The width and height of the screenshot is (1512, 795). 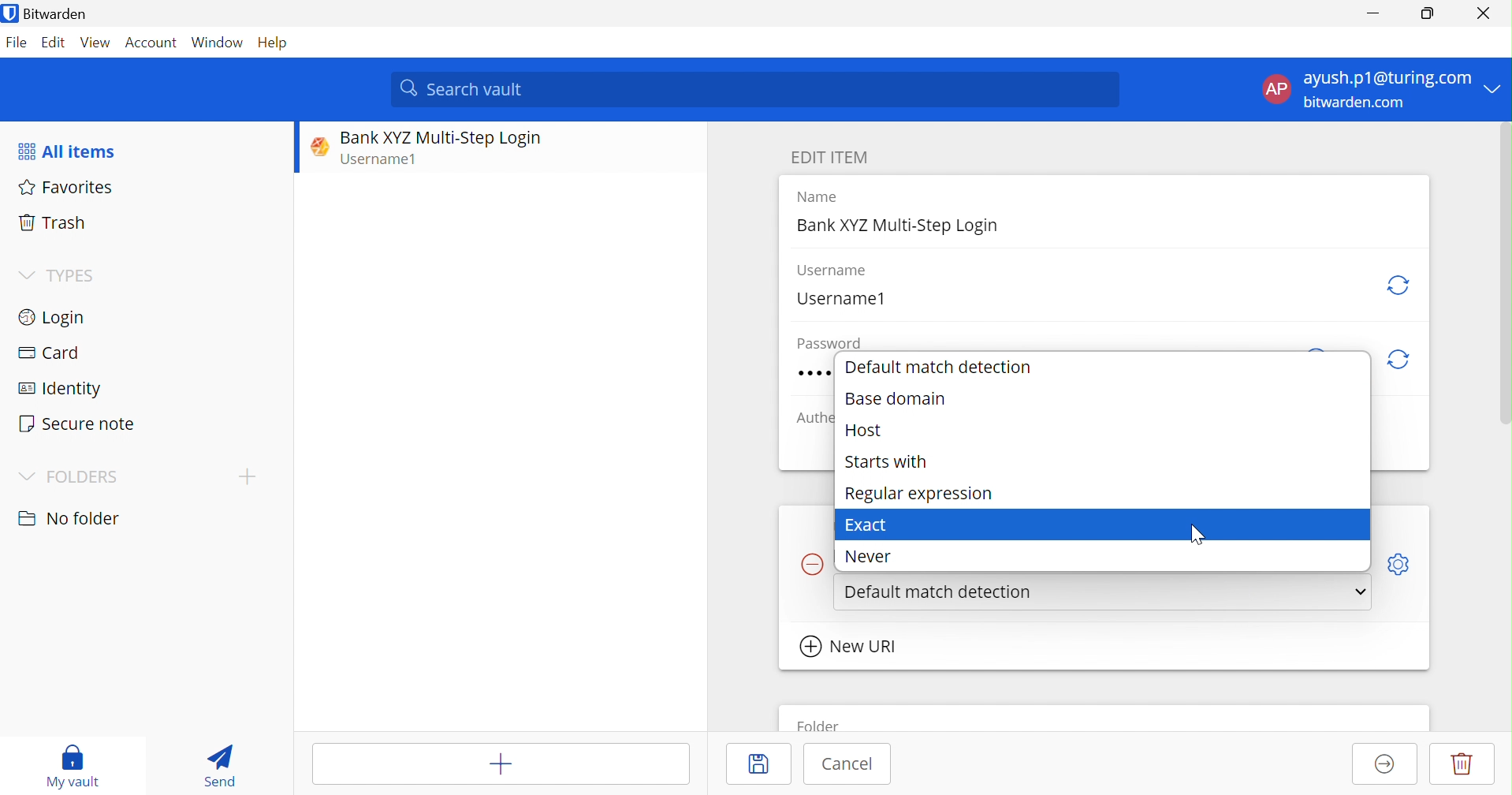 What do you see at coordinates (386, 161) in the screenshot?
I see `Username1` at bounding box center [386, 161].